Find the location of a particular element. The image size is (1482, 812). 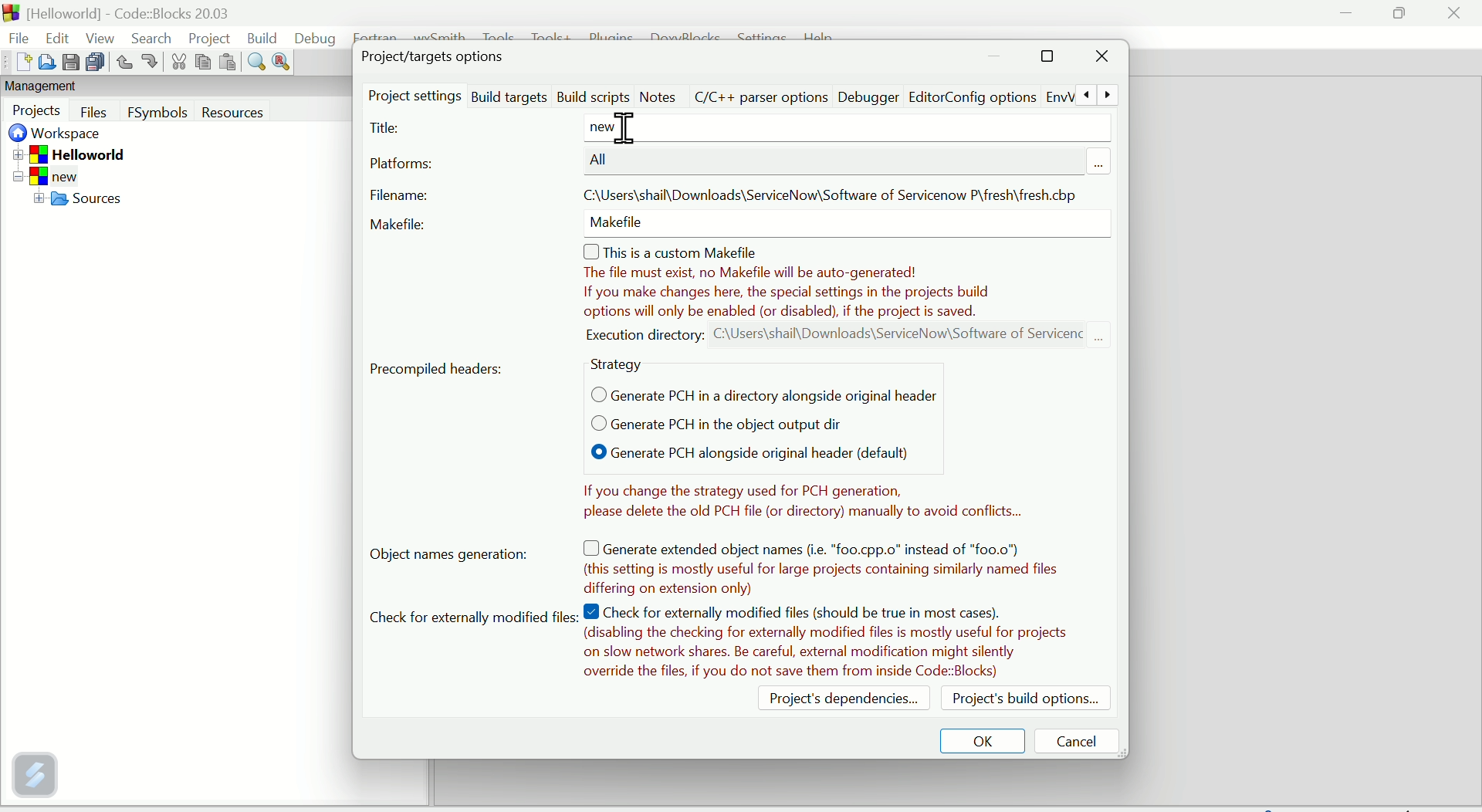

Copy is located at coordinates (201, 62).